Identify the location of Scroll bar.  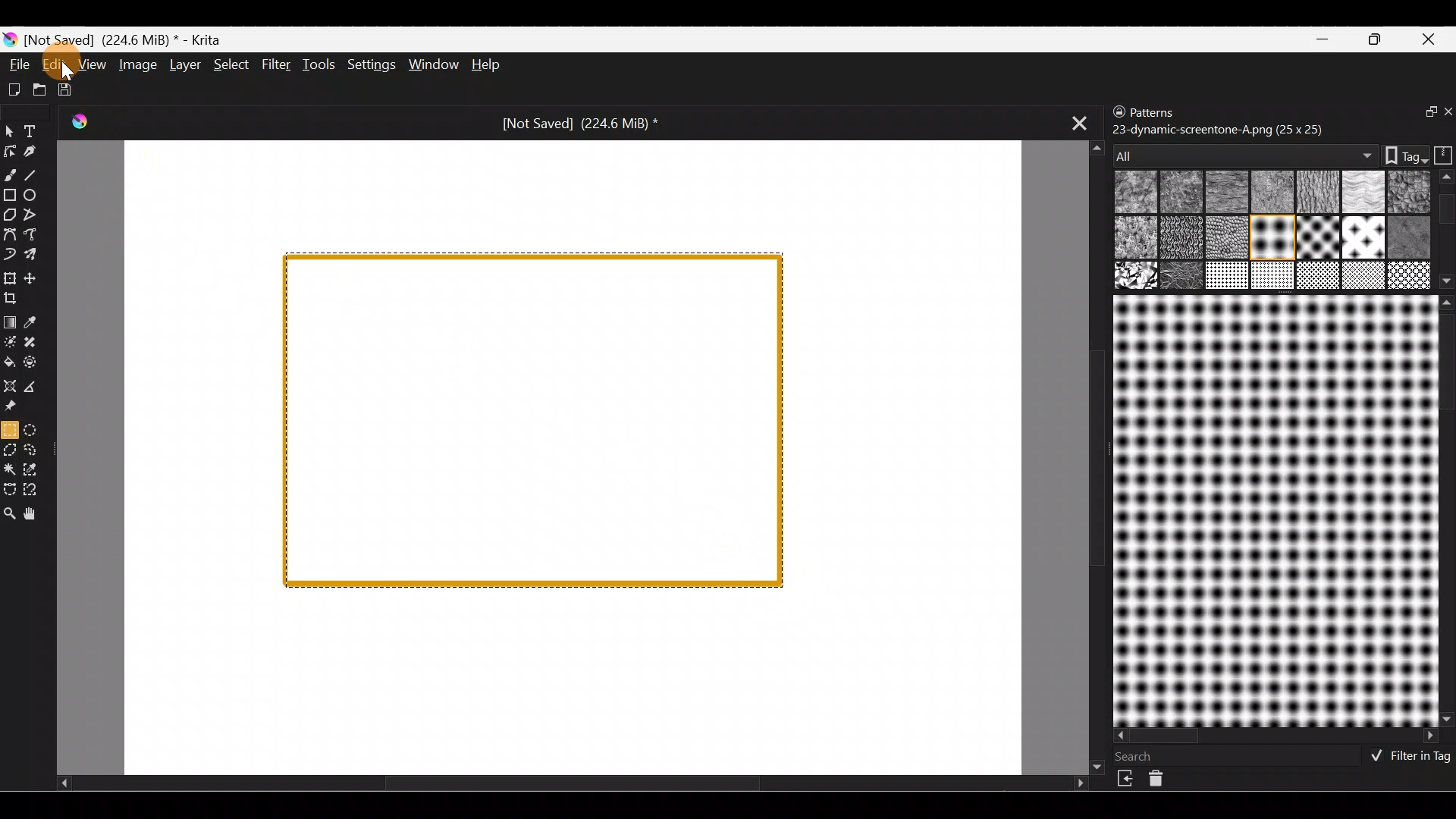
(1447, 230).